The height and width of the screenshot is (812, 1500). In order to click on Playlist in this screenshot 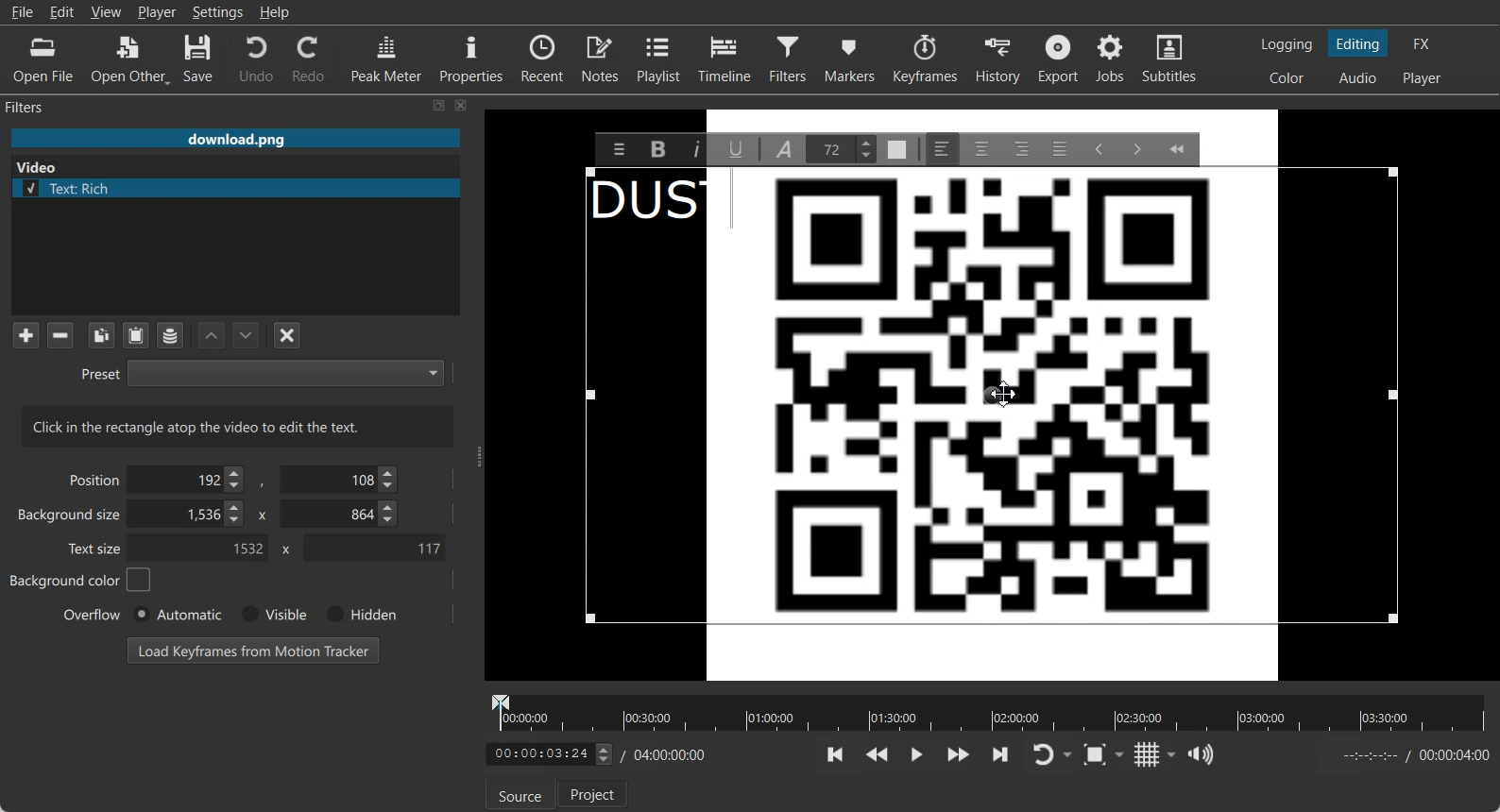, I will do `click(661, 58)`.